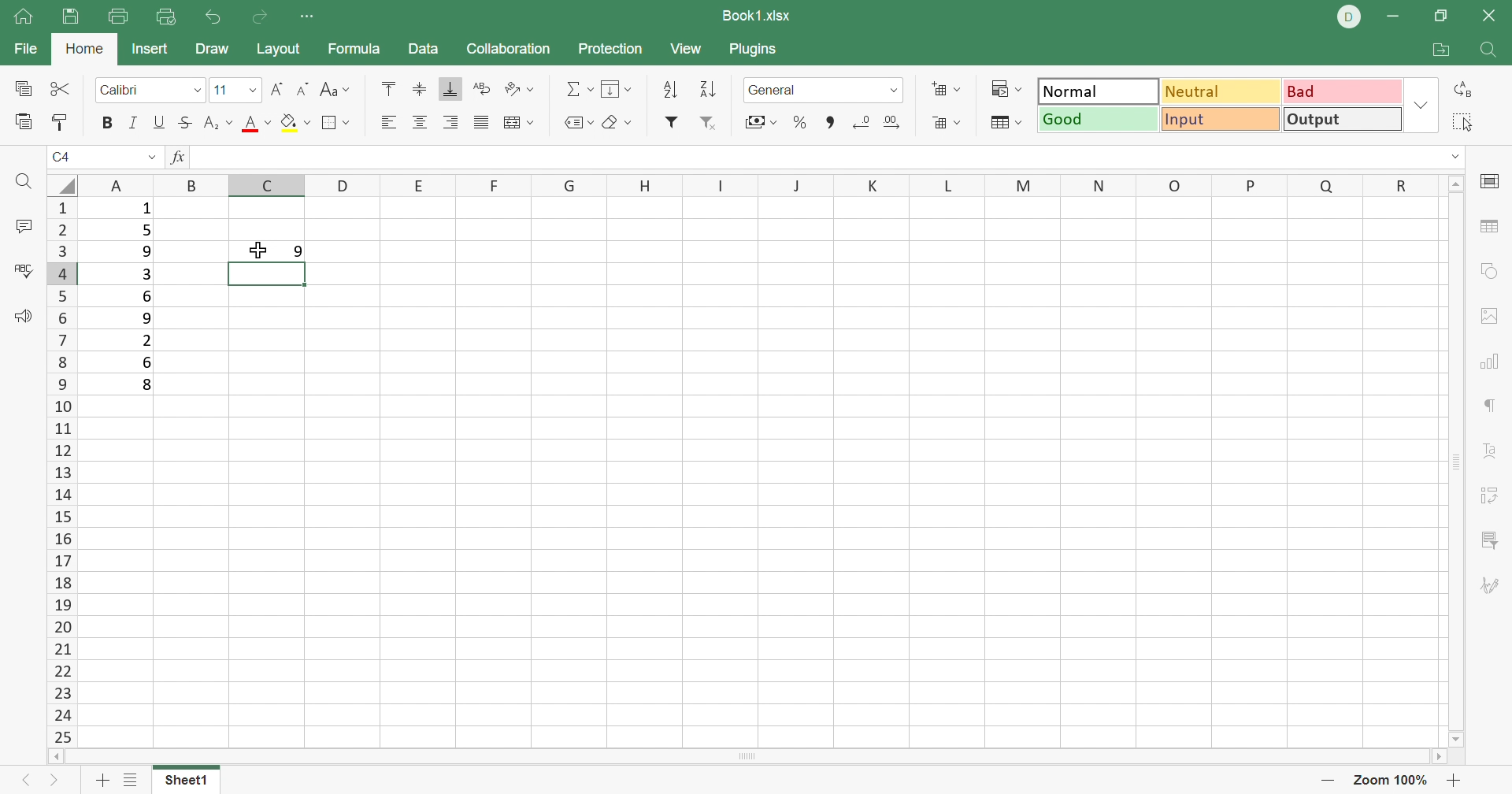 The image size is (1512, 794). What do you see at coordinates (1486, 451) in the screenshot?
I see `Text  Art settings` at bounding box center [1486, 451].